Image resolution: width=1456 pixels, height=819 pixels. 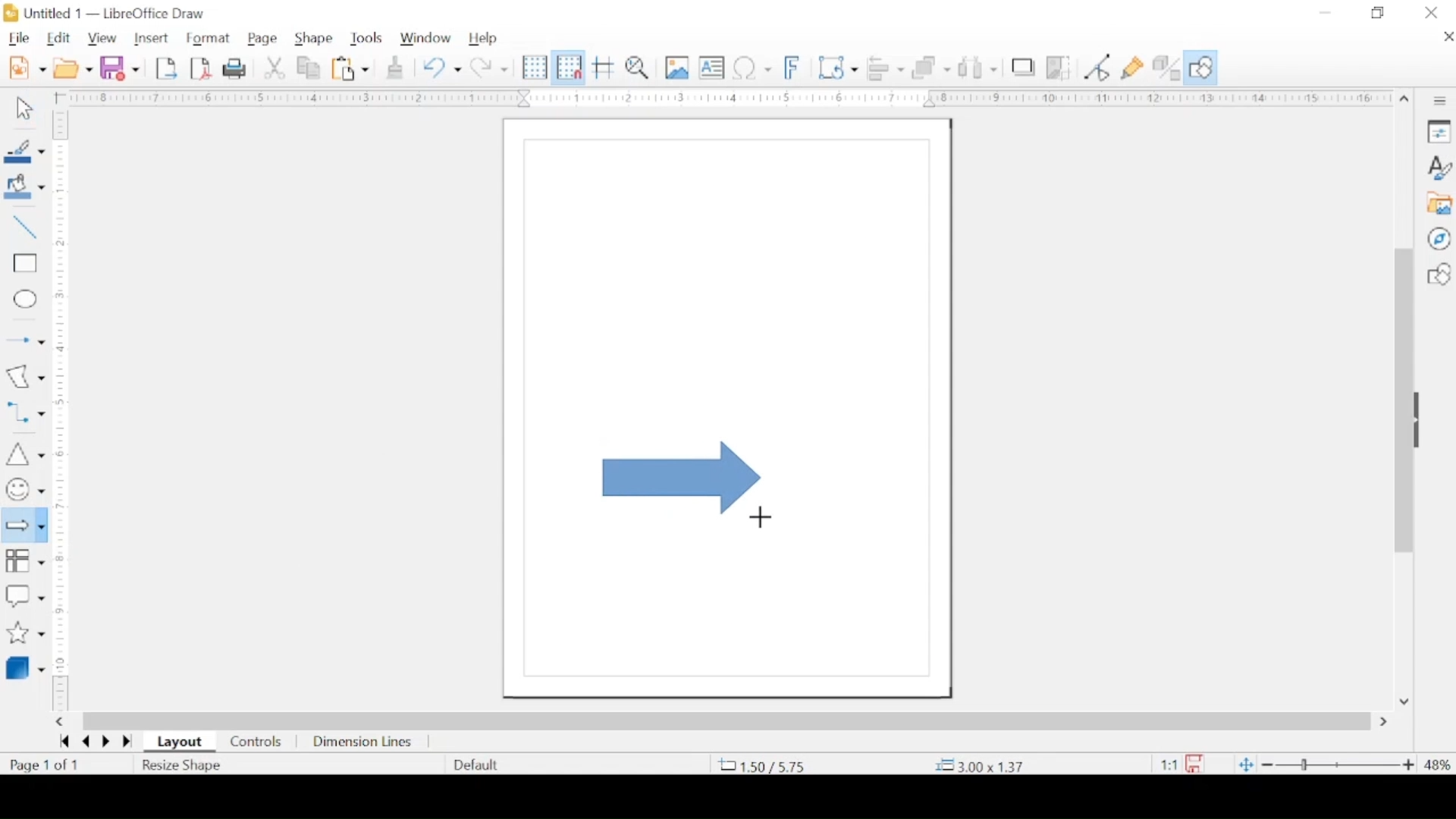 What do you see at coordinates (983, 766) in the screenshot?
I see `coordinate` at bounding box center [983, 766].